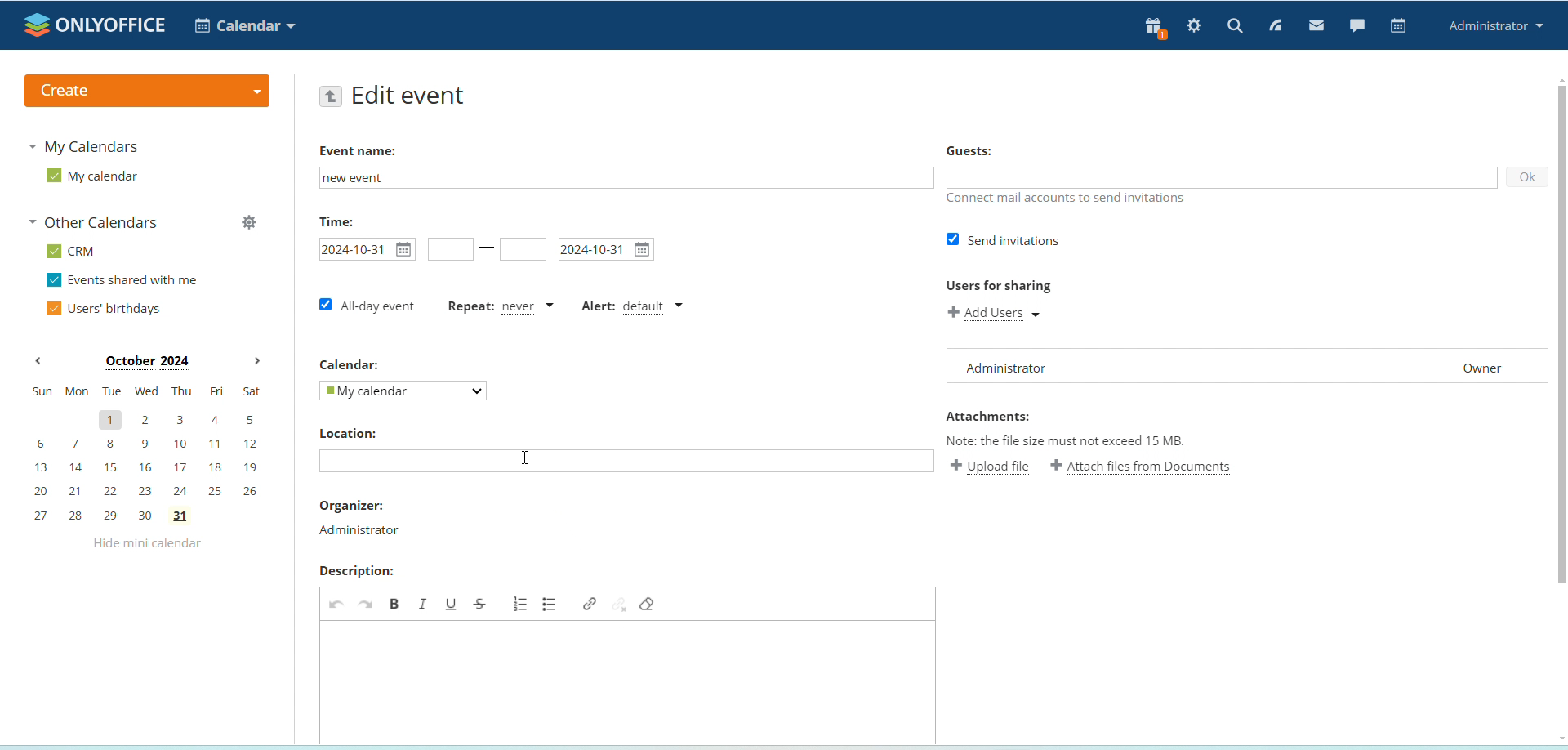  Describe the element at coordinates (96, 25) in the screenshot. I see `logo` at that location.